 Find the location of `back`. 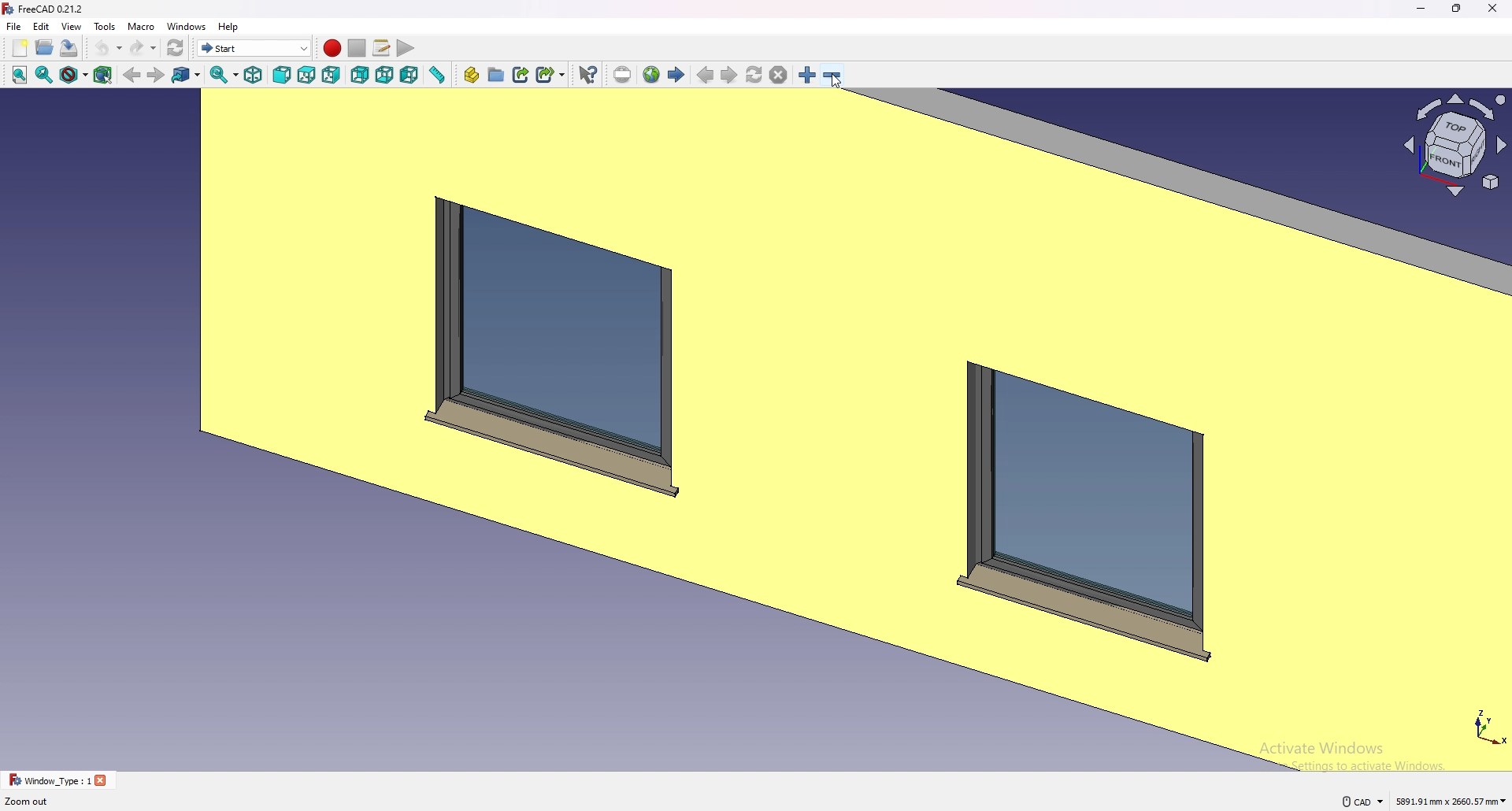

back is located at coordinates (132, 75).